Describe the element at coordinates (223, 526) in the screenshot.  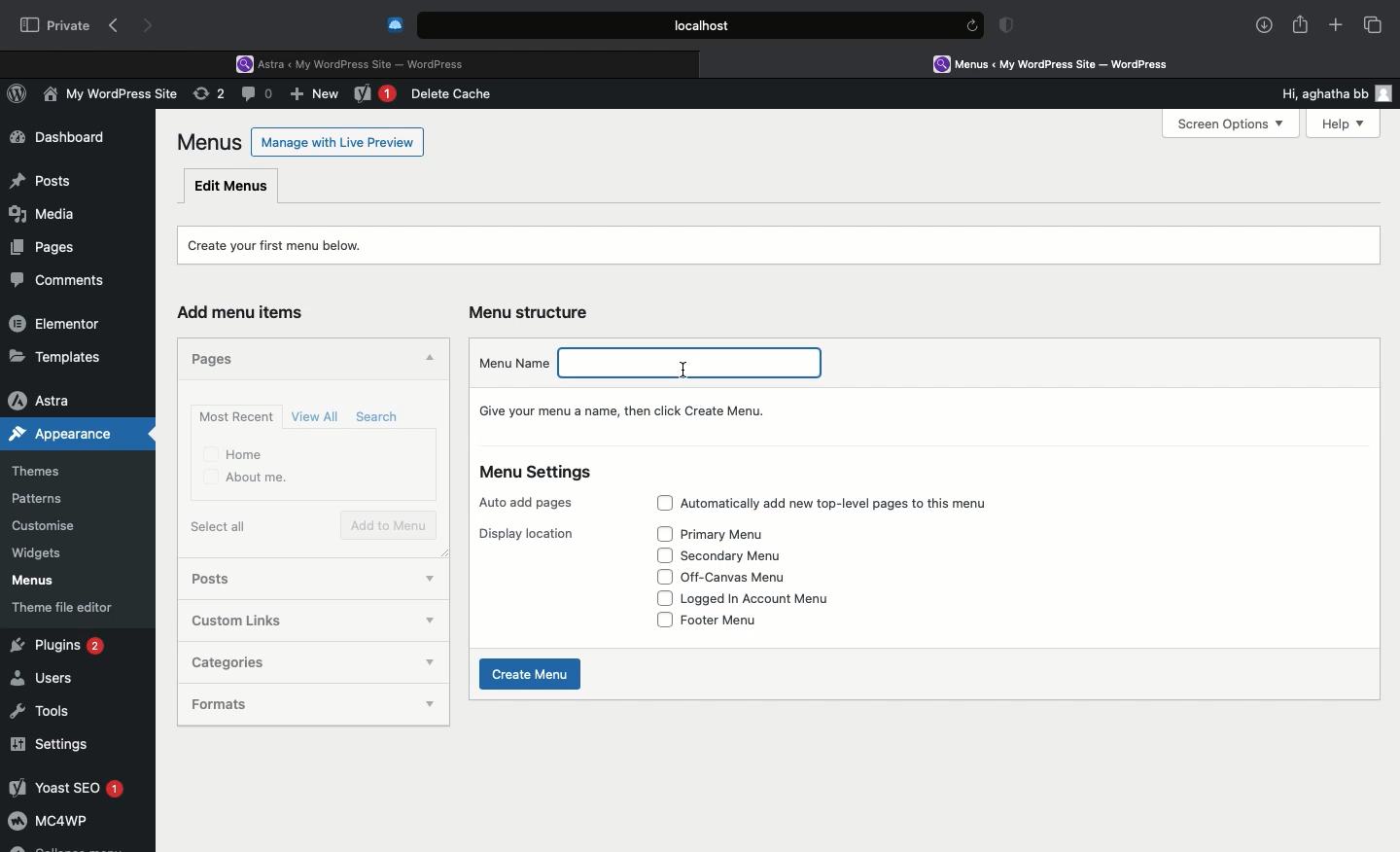
I see `Select all` at that location.